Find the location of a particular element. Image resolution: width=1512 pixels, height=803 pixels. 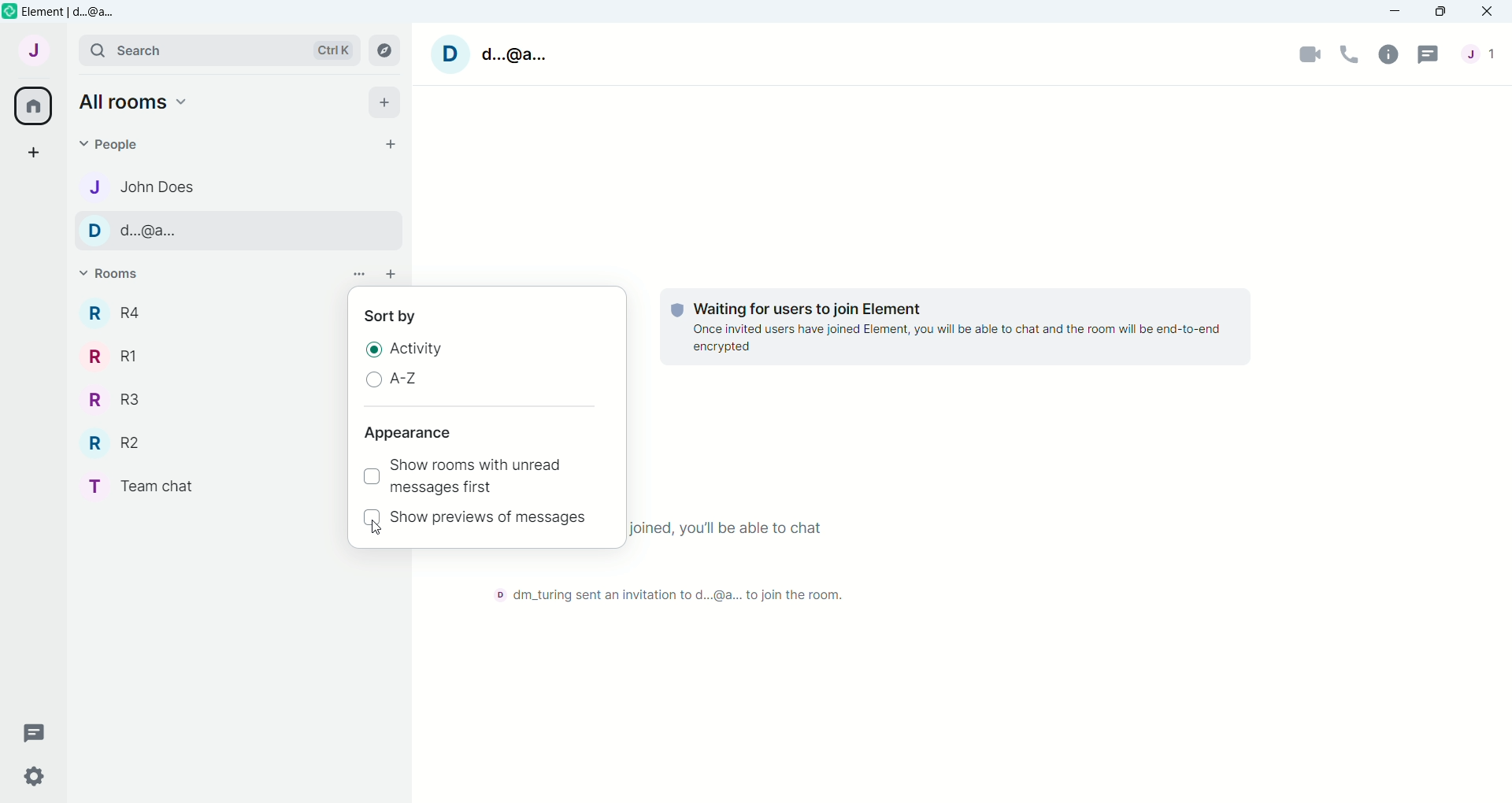

R R1 is located at coordinates (129, 355).